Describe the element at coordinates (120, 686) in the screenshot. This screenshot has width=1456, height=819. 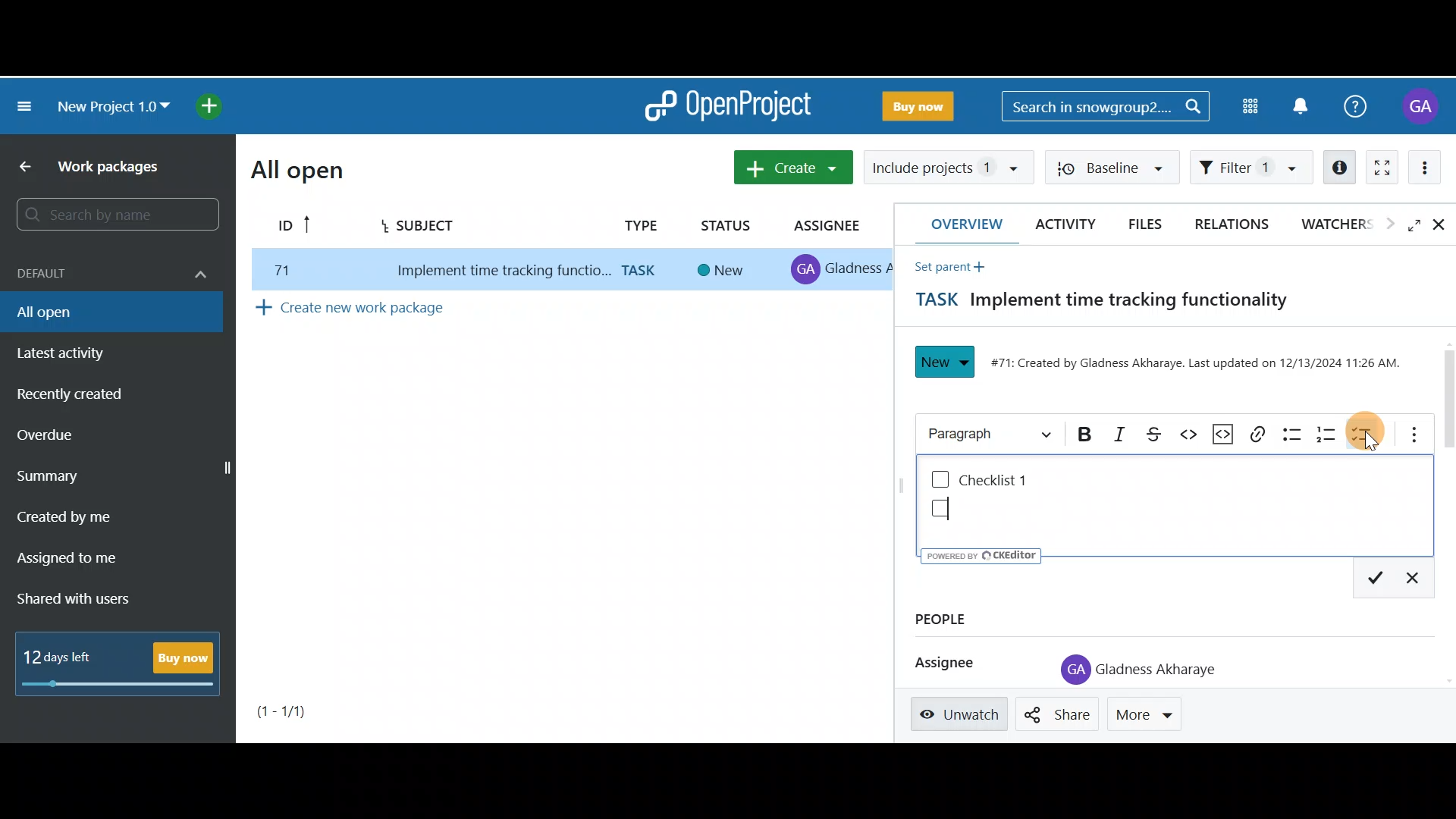
I see `progress bar` at that location.